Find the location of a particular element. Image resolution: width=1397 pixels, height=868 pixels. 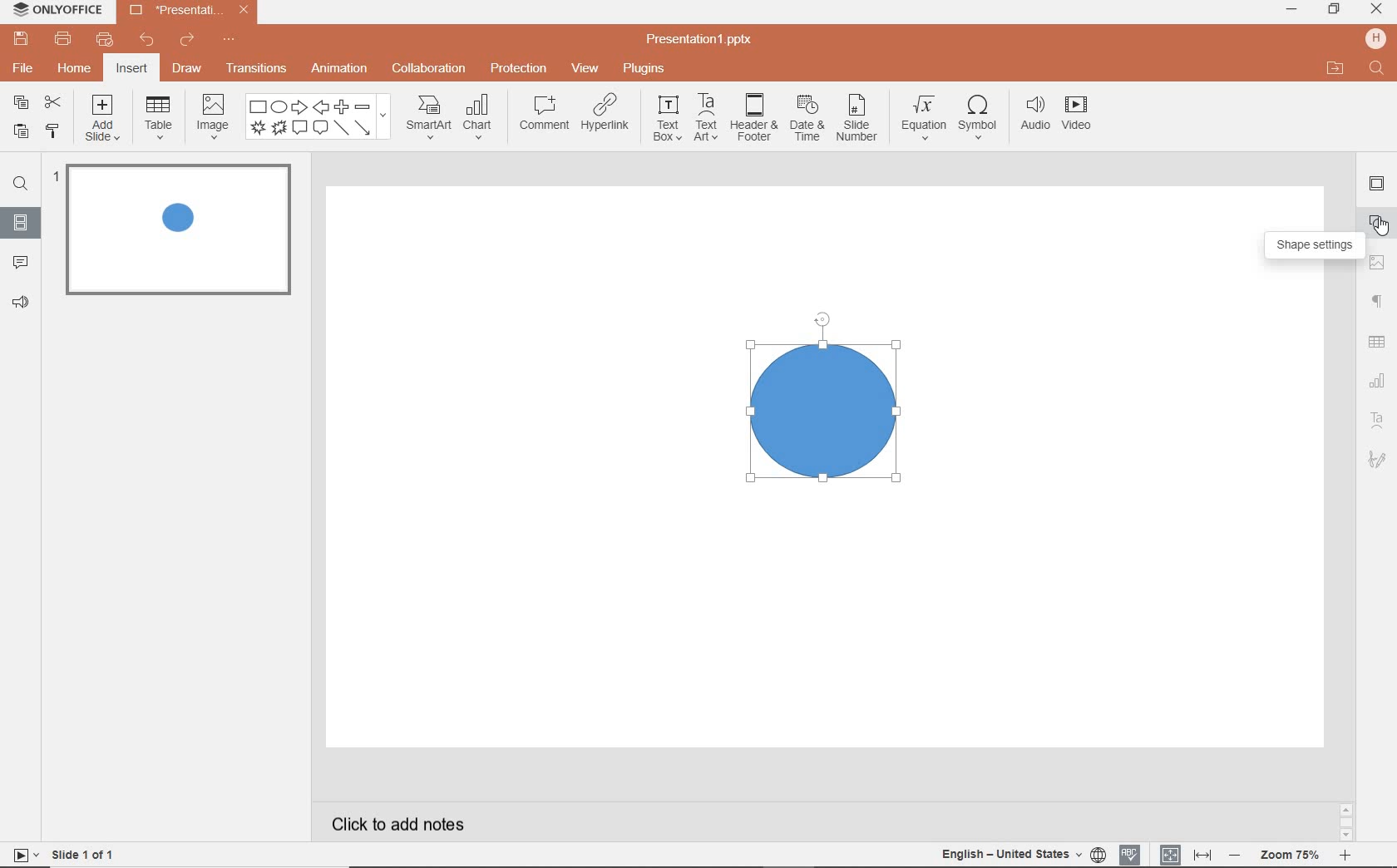

home is located at coordinates (77, 69).